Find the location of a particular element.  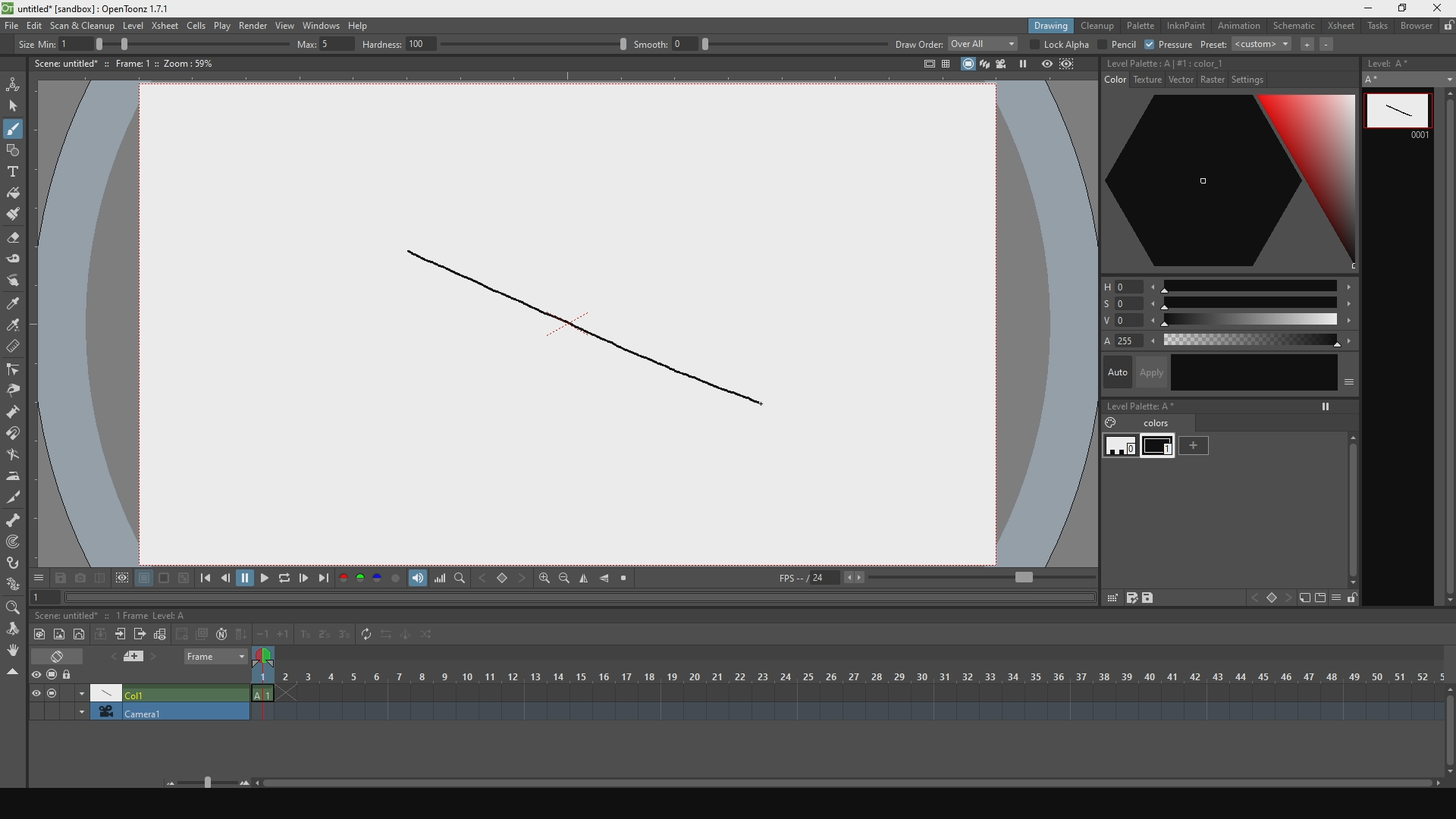

save is located at coordinates (1153, 598).